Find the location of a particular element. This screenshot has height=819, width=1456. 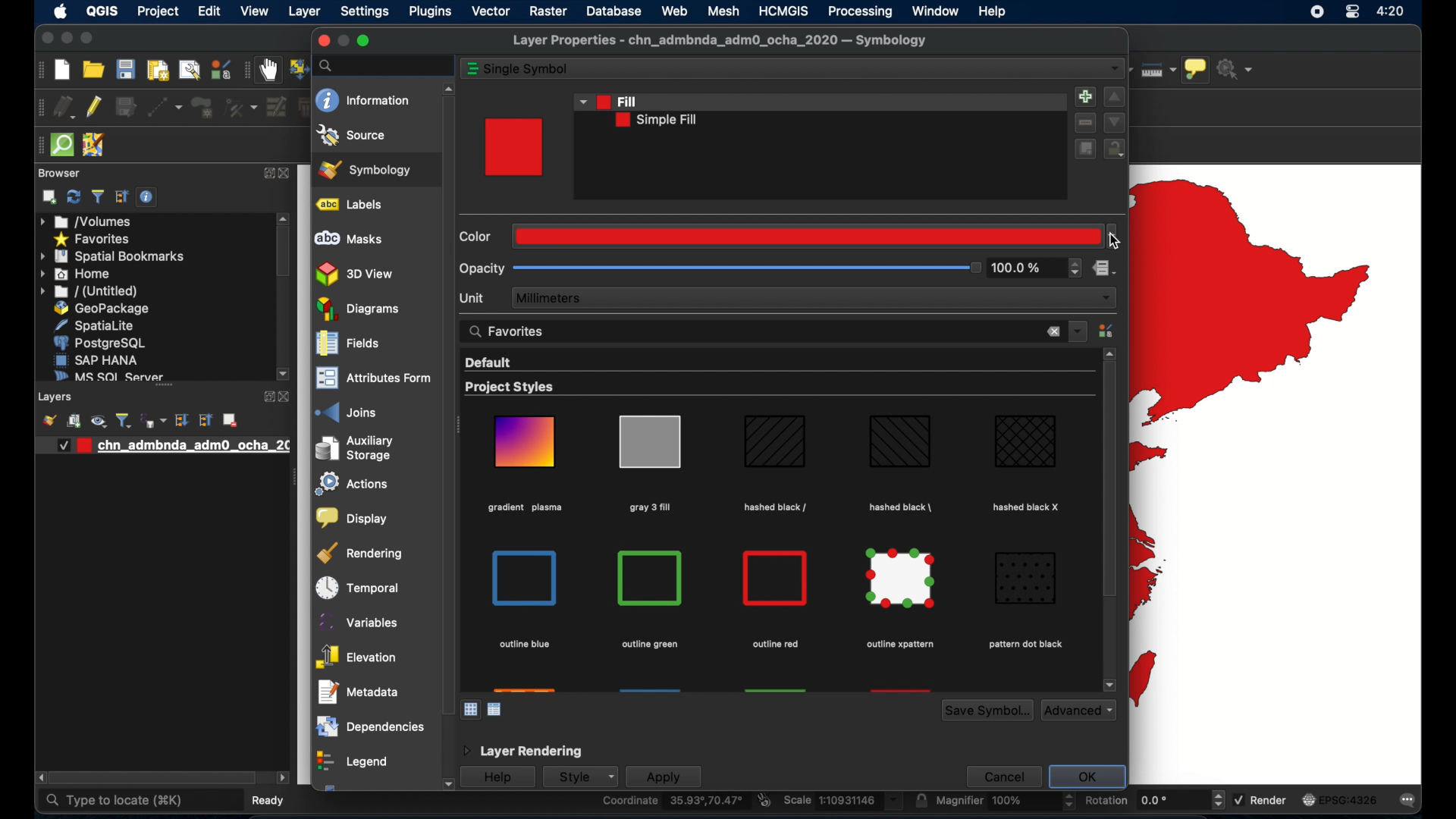

diagrams is located at coordinates (359, 309).